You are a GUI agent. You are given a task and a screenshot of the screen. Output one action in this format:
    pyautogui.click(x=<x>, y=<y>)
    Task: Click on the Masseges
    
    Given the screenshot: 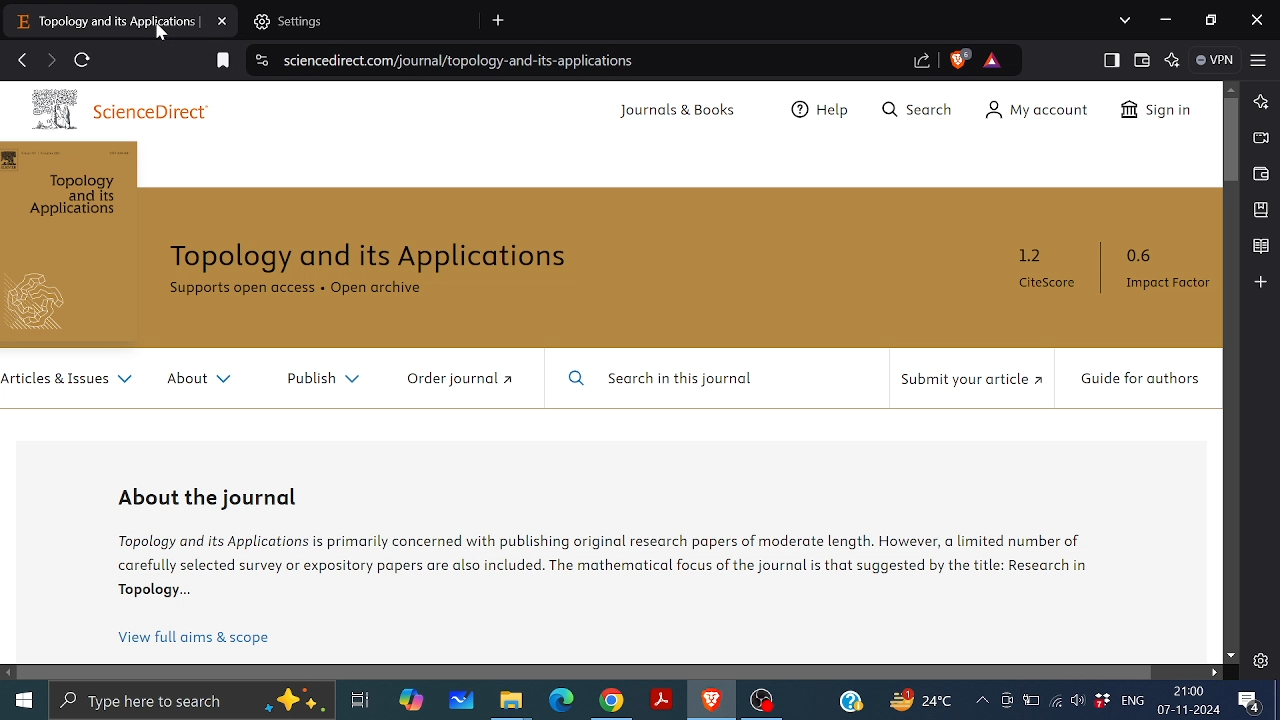 What is the action you would take?
    pyautogui.click(x=1250, y=703)
    